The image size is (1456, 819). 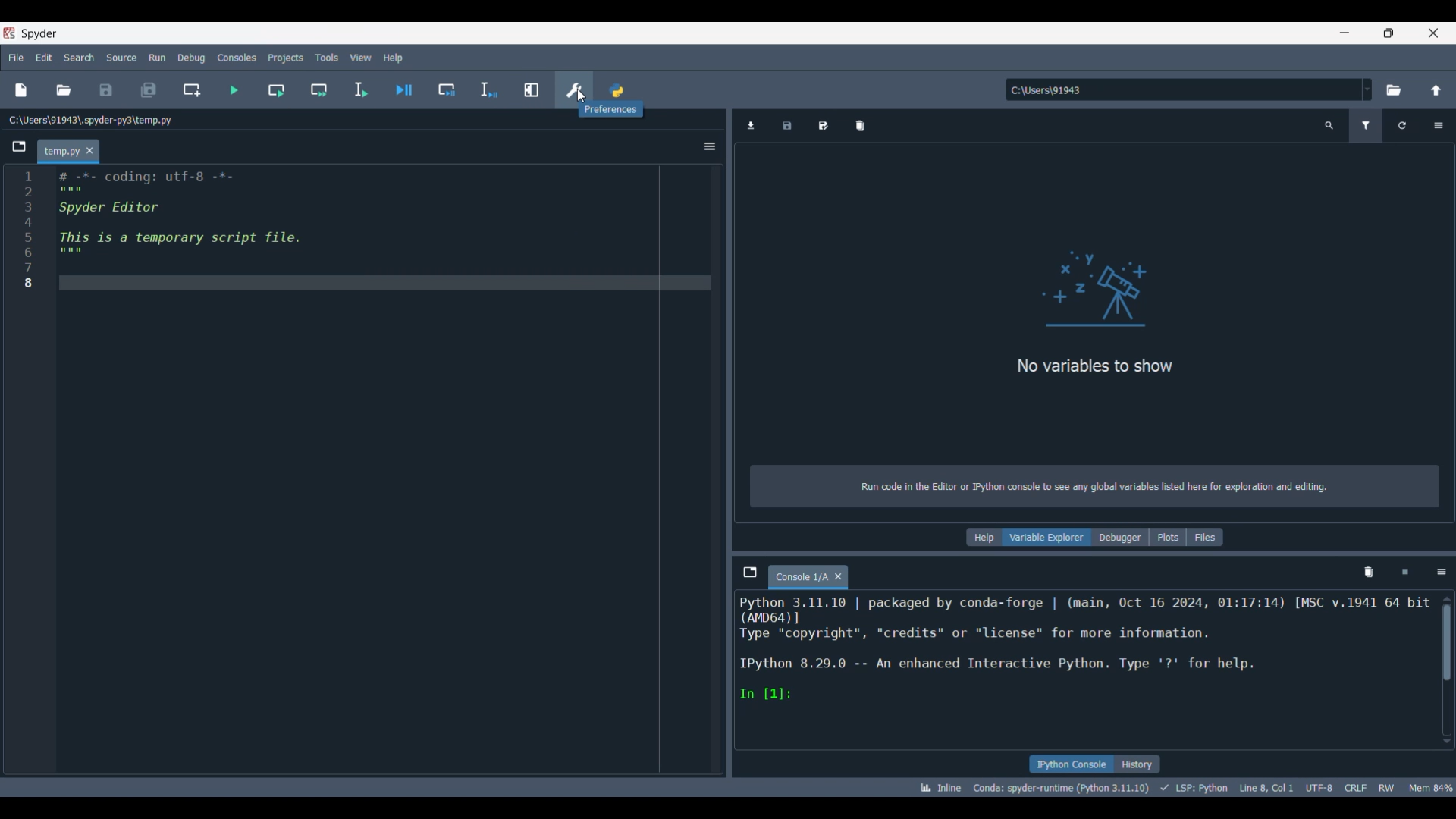 What do you see at coordinates (45, 58) in the screenshot?
I see `Edit menu` at bounding box center [45, 58].